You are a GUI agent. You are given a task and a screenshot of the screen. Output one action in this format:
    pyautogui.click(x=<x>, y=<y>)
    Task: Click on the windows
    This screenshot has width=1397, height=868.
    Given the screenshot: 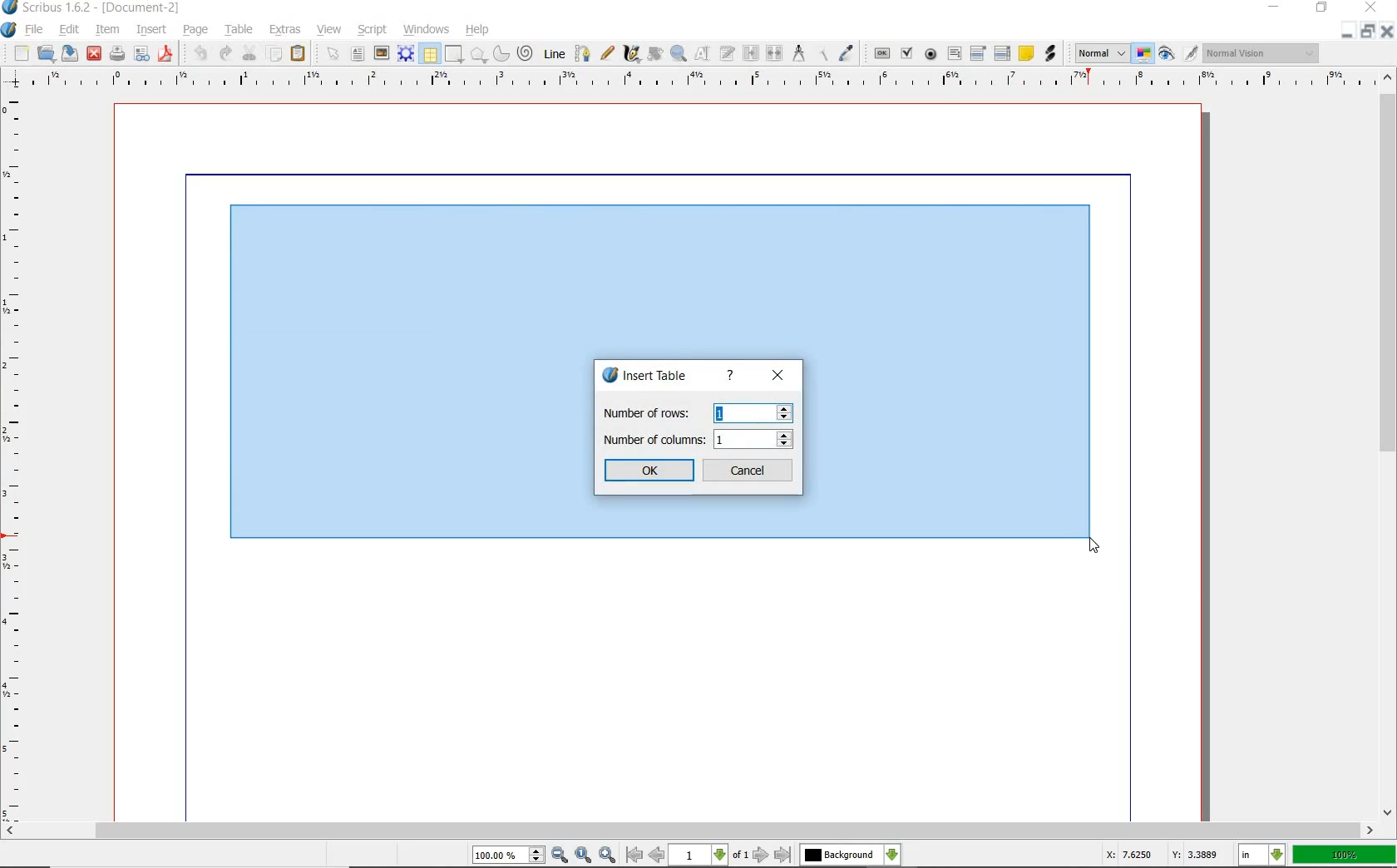 What is the action you would take?
    pyautogui.click(x=428, y=31)
    